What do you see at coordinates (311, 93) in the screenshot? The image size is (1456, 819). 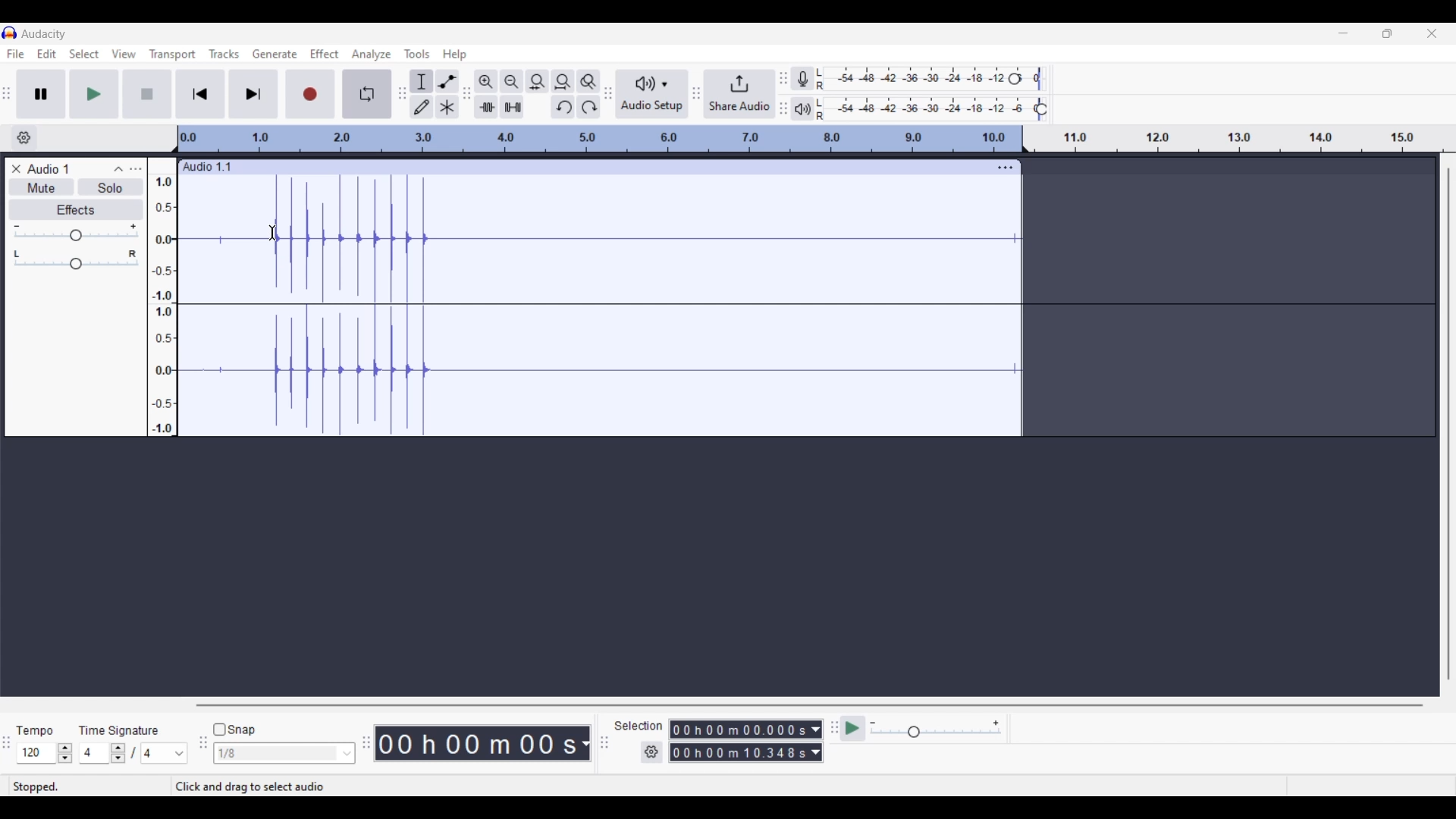 I see `Record/Record new track` at bounding box center [311, 93].